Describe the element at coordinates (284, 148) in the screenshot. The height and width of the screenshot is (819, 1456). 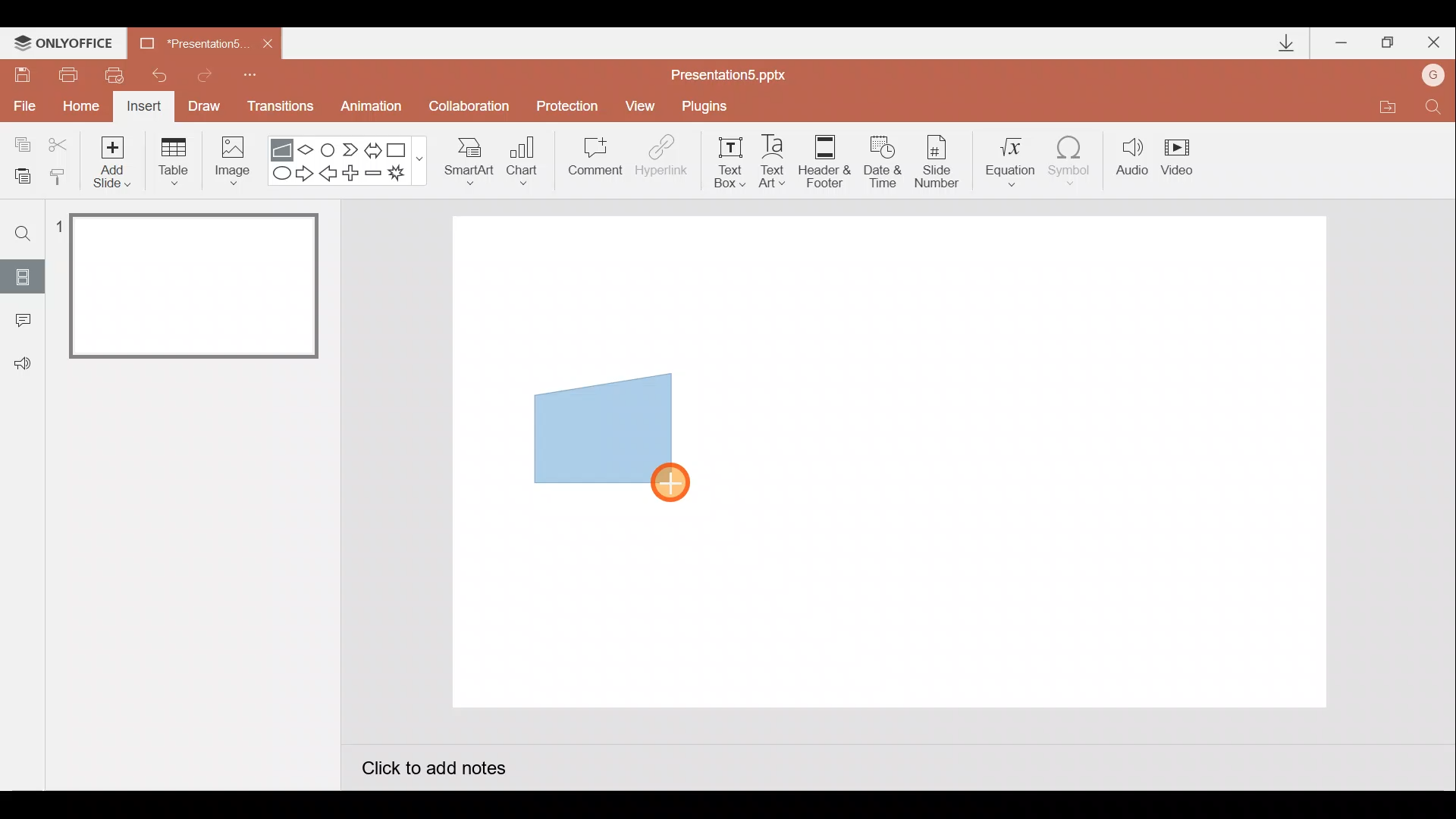
I see `Flowchart - manual input` at that location.